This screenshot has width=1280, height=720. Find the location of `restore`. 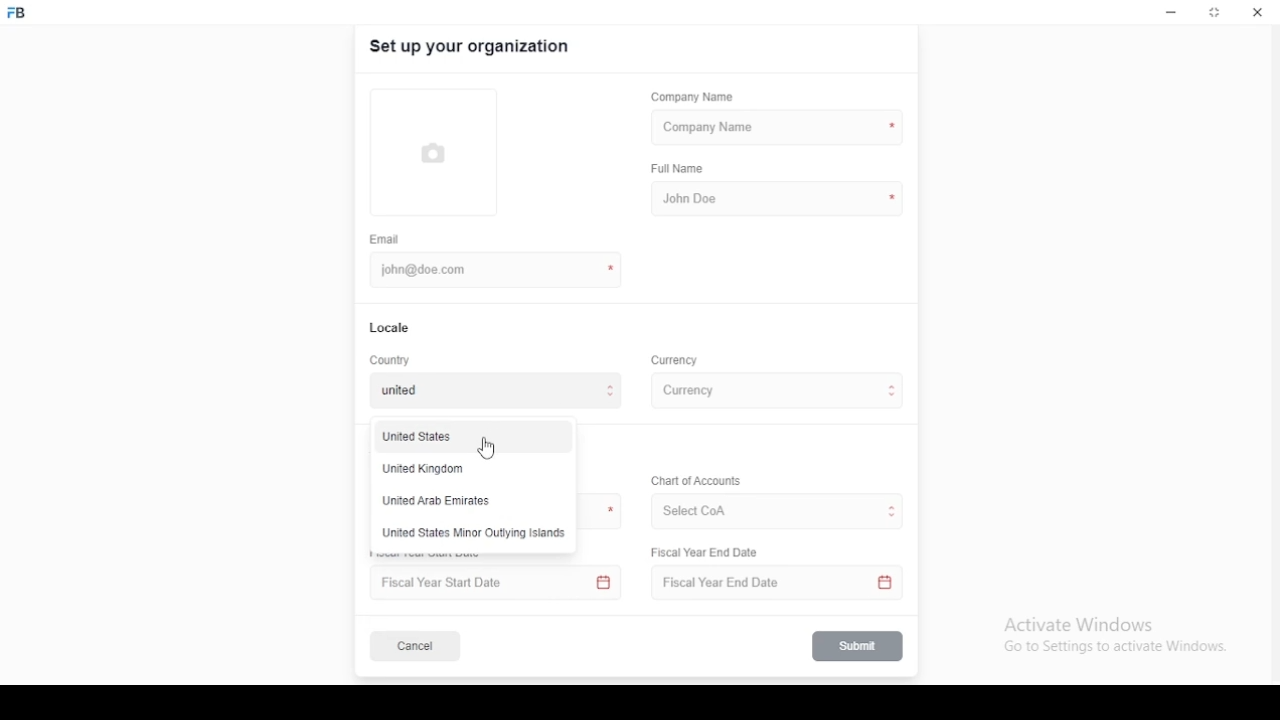

restore is located at coordinates (1216, 14).